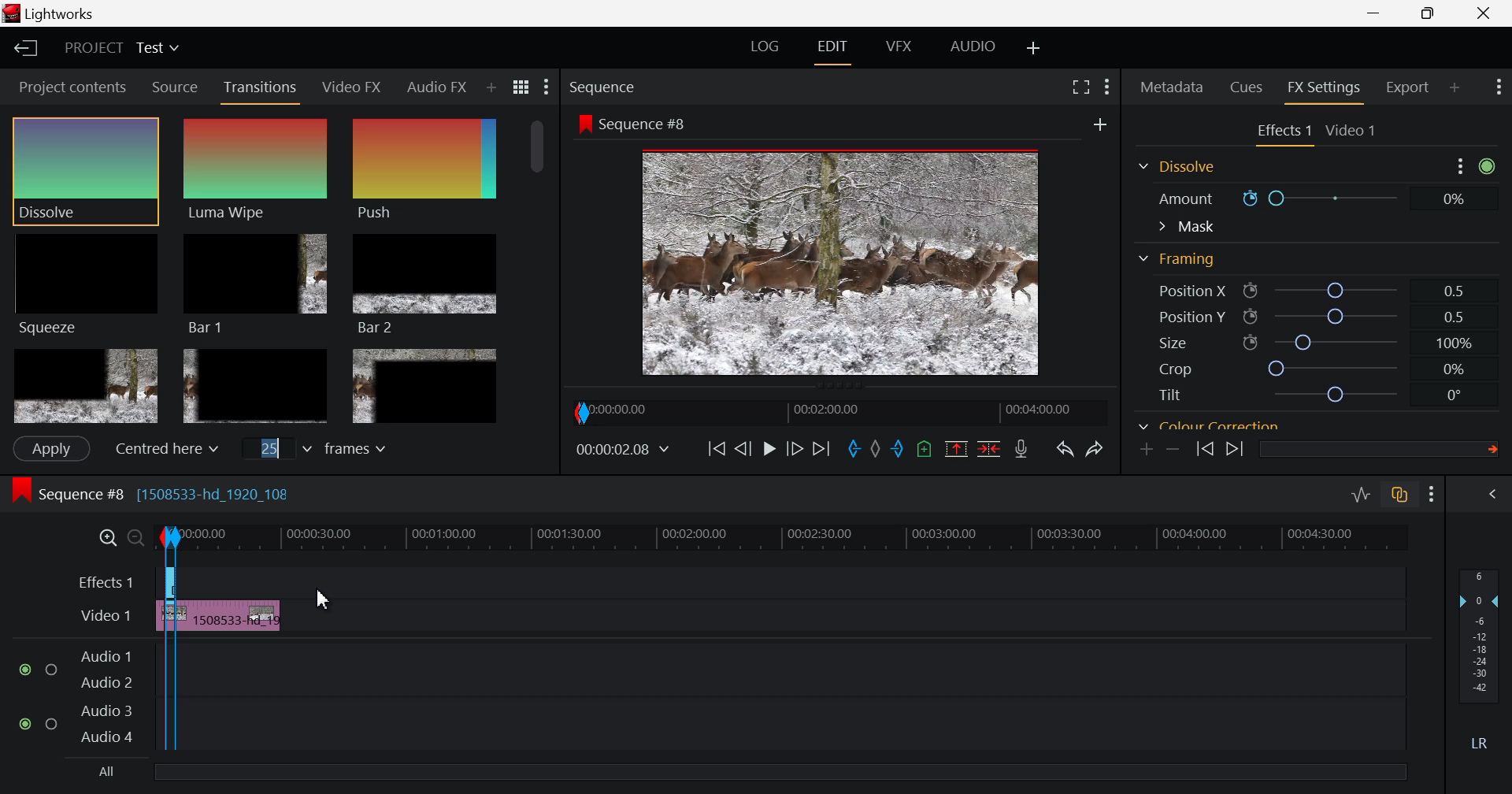 This screenshot has width=1512, height=794. What do you see at coordinates (105, 538) in the screenshot?
I see `Timeline Zoom In` at bounding box center [105, 538].